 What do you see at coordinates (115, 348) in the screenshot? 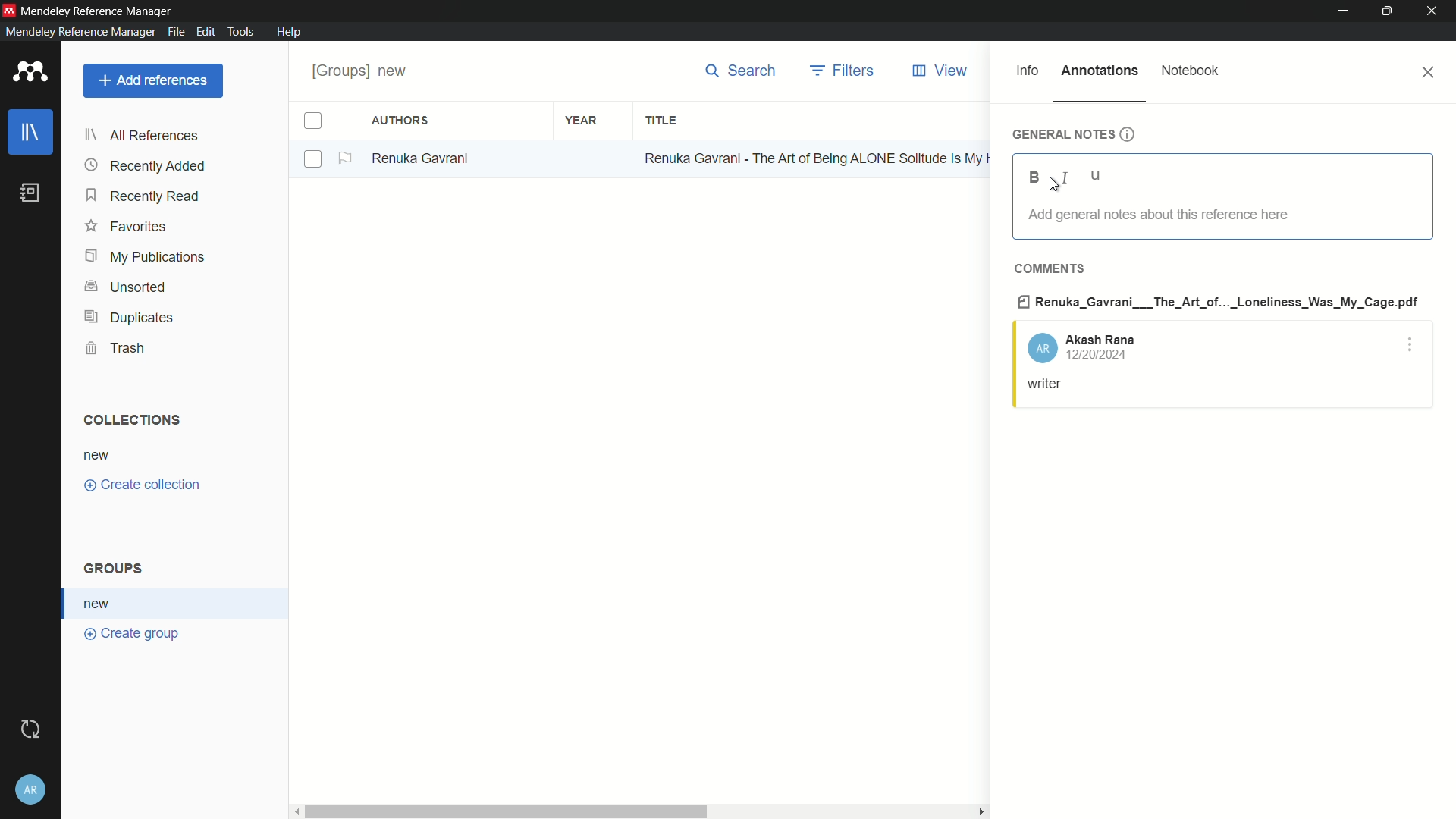
I see `trash` at bounding box center [115, 348].